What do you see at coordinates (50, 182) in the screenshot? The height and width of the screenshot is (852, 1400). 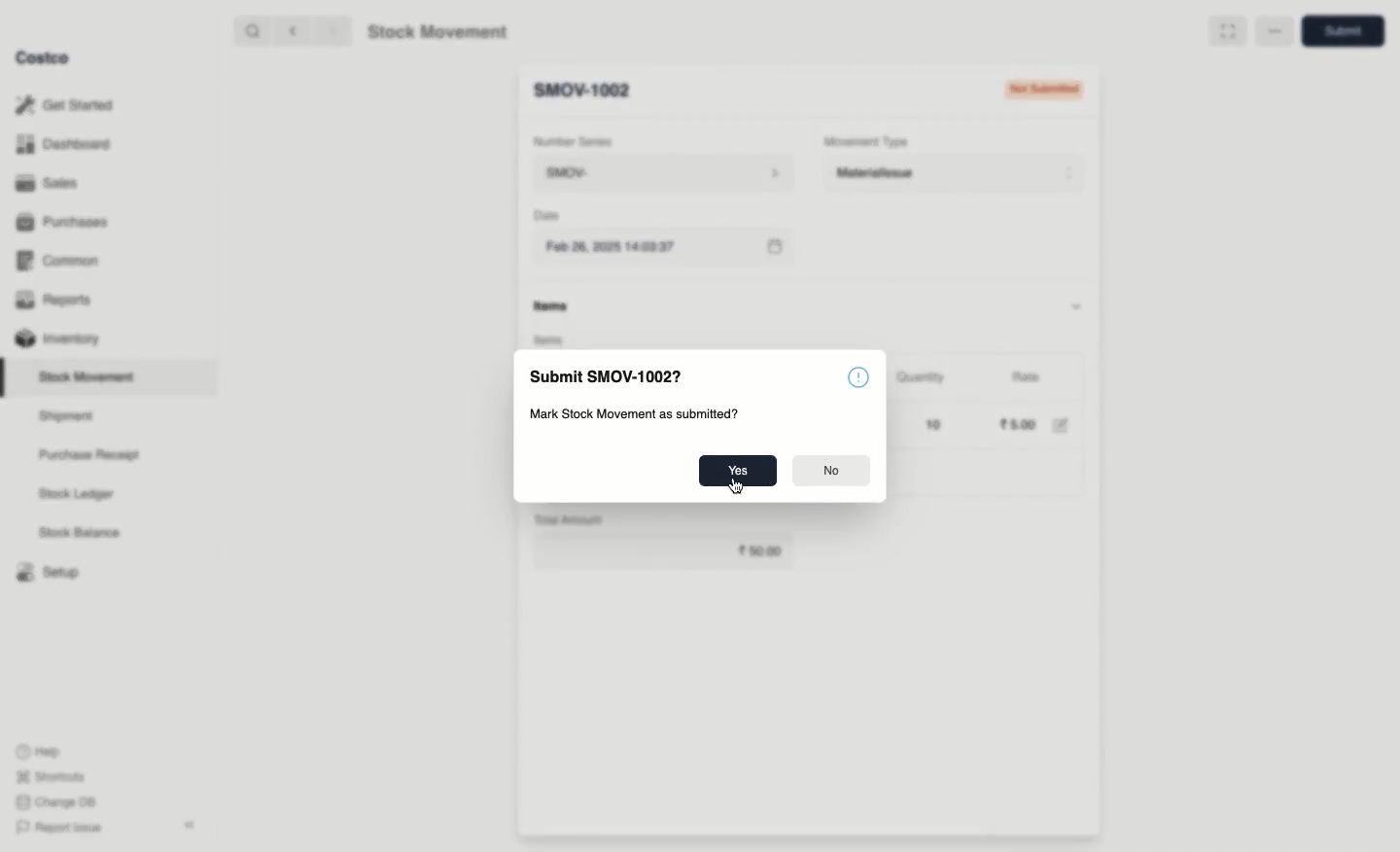 I see `Sales` at bounding box center [50, 182].